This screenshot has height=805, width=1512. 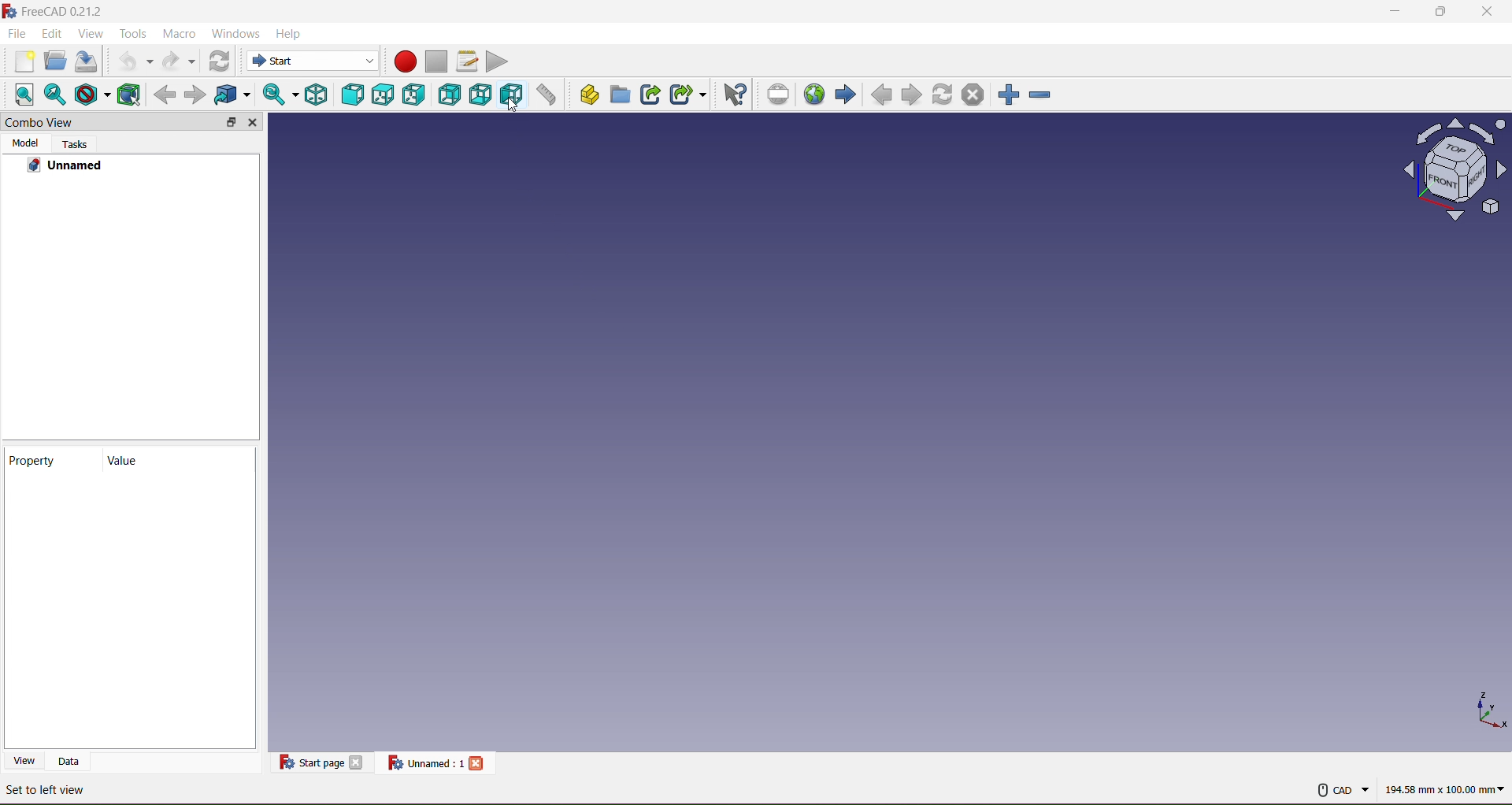 What do you see at coordinates (134, 32) in the screenshot?
I see `Tools` at bounding box center [134, 32].